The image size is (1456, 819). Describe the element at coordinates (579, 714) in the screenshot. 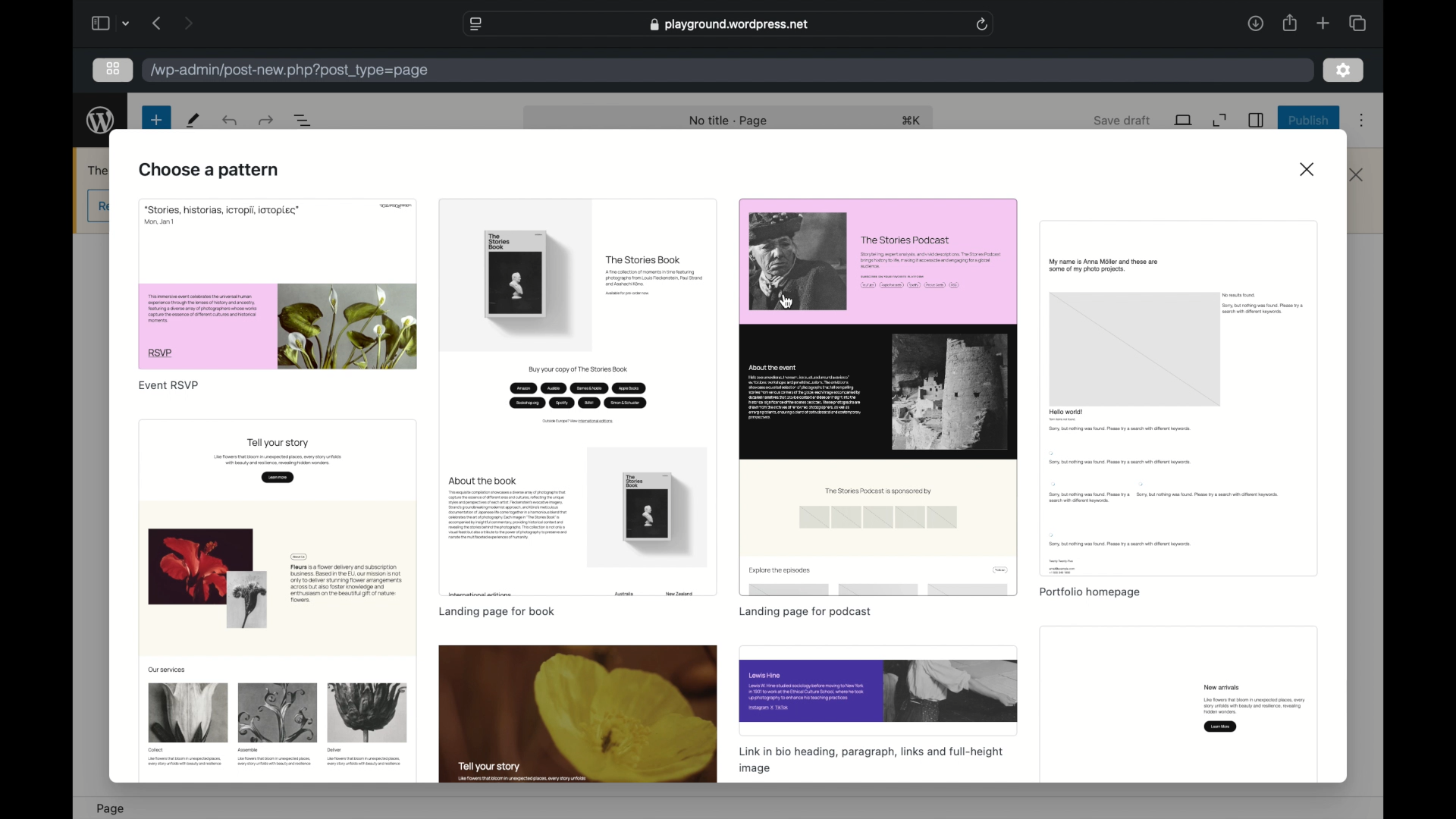

I see `preview` at that location.